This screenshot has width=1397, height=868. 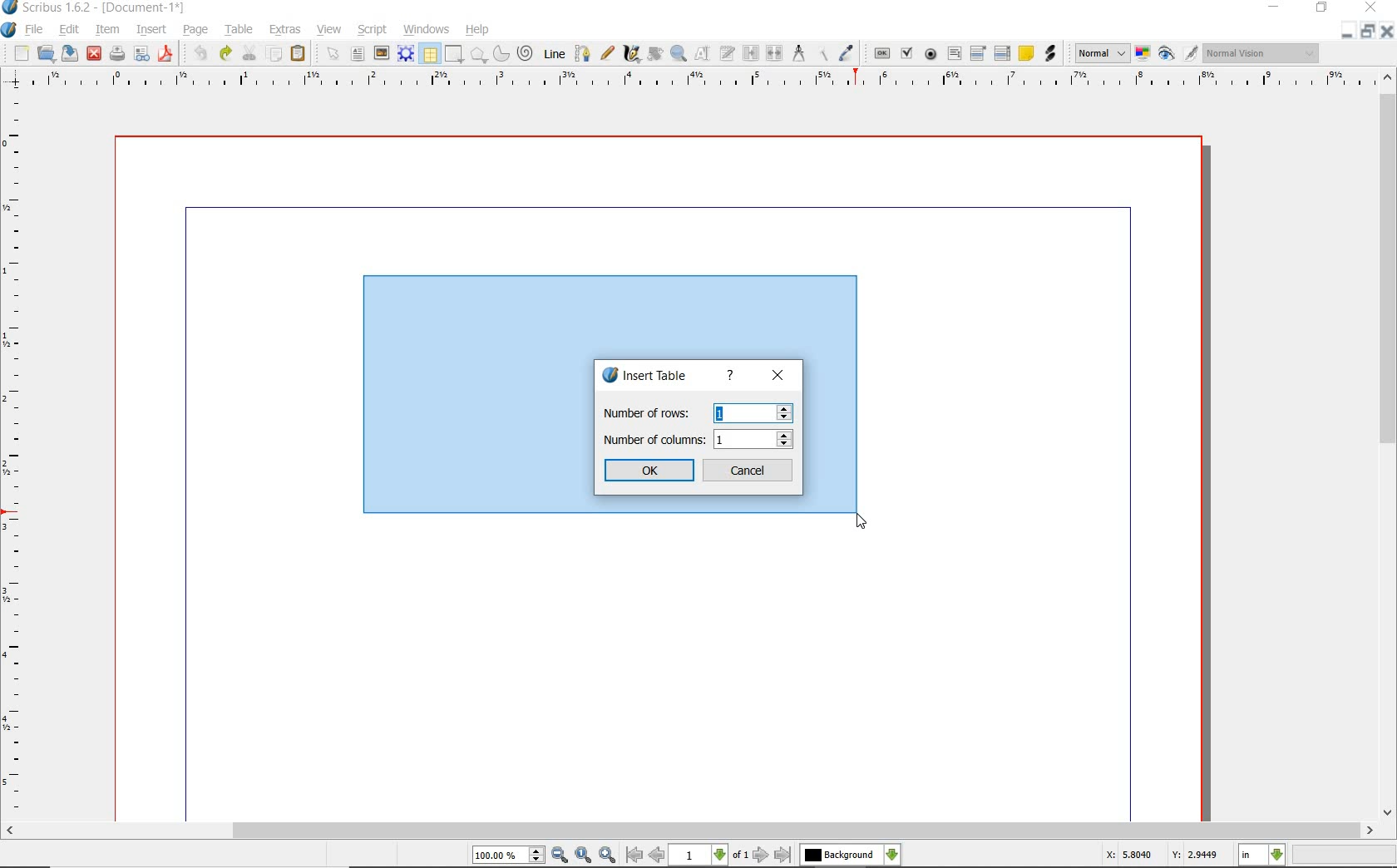 I want to click on close, so click(x=777, y=377).